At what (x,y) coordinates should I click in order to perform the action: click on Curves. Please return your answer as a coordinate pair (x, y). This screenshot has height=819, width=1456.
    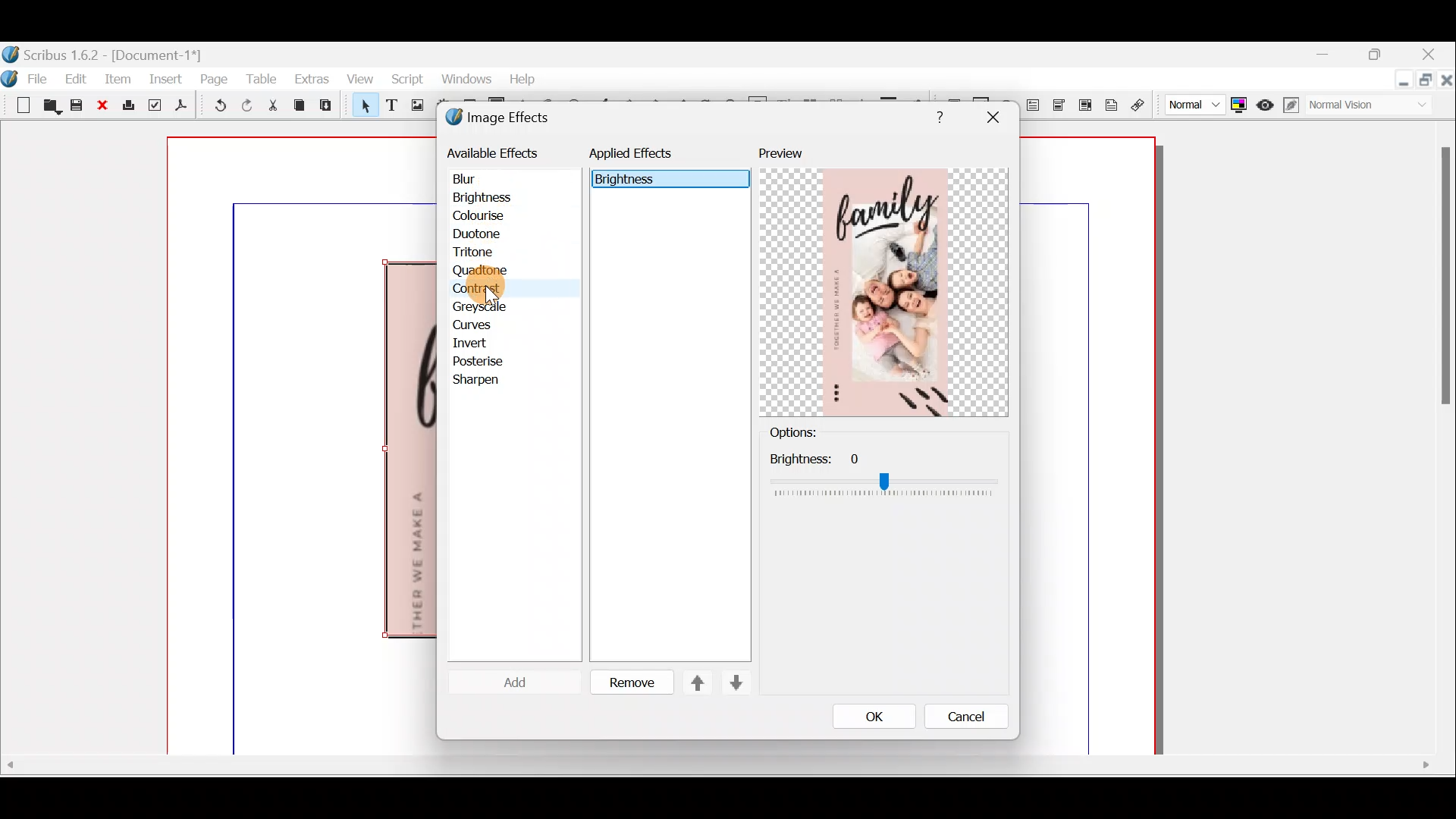
    Looking at the image, I should click on (483, 324).